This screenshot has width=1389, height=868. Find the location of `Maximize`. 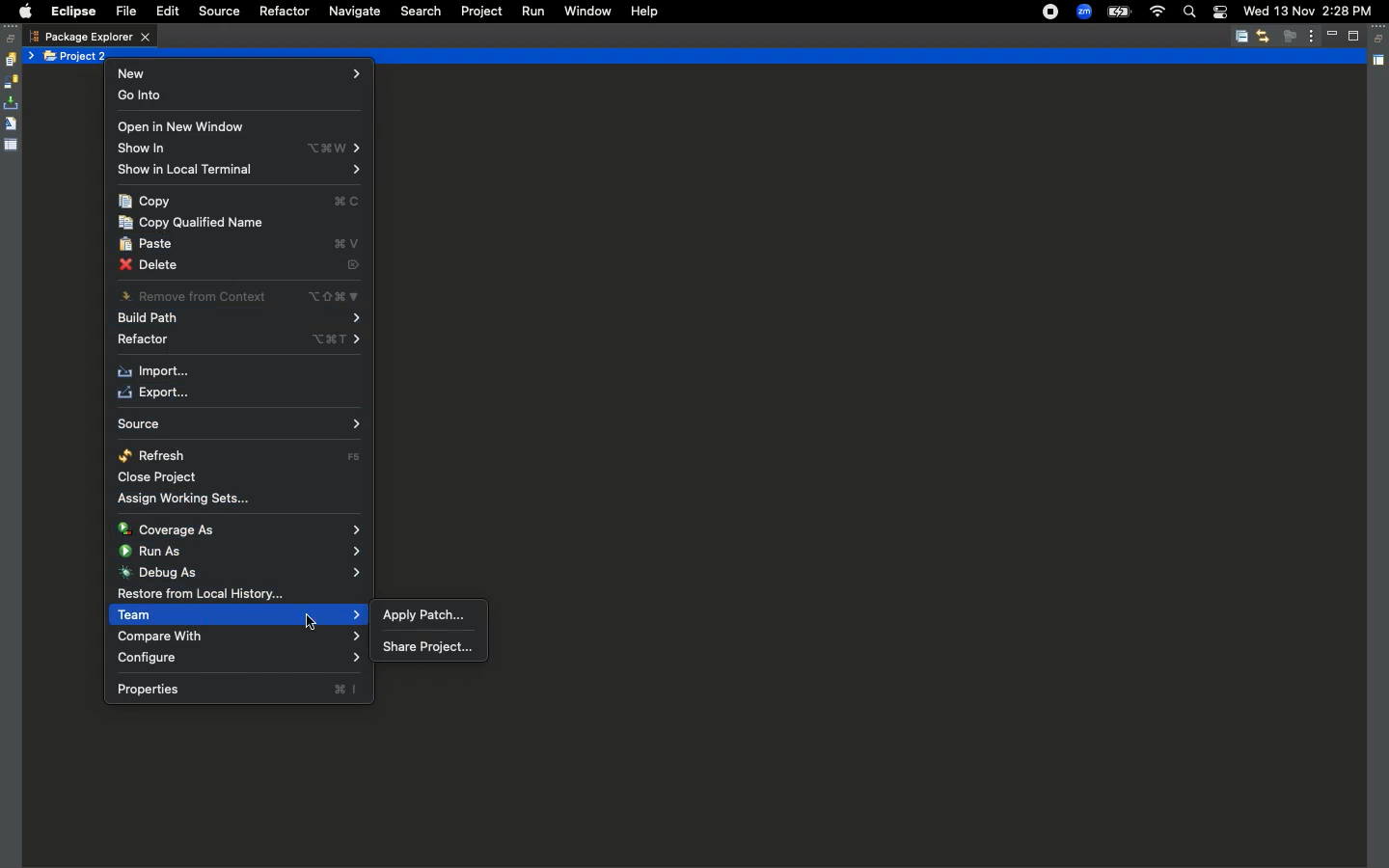

Maximize is located at coordinates (1355, 36).